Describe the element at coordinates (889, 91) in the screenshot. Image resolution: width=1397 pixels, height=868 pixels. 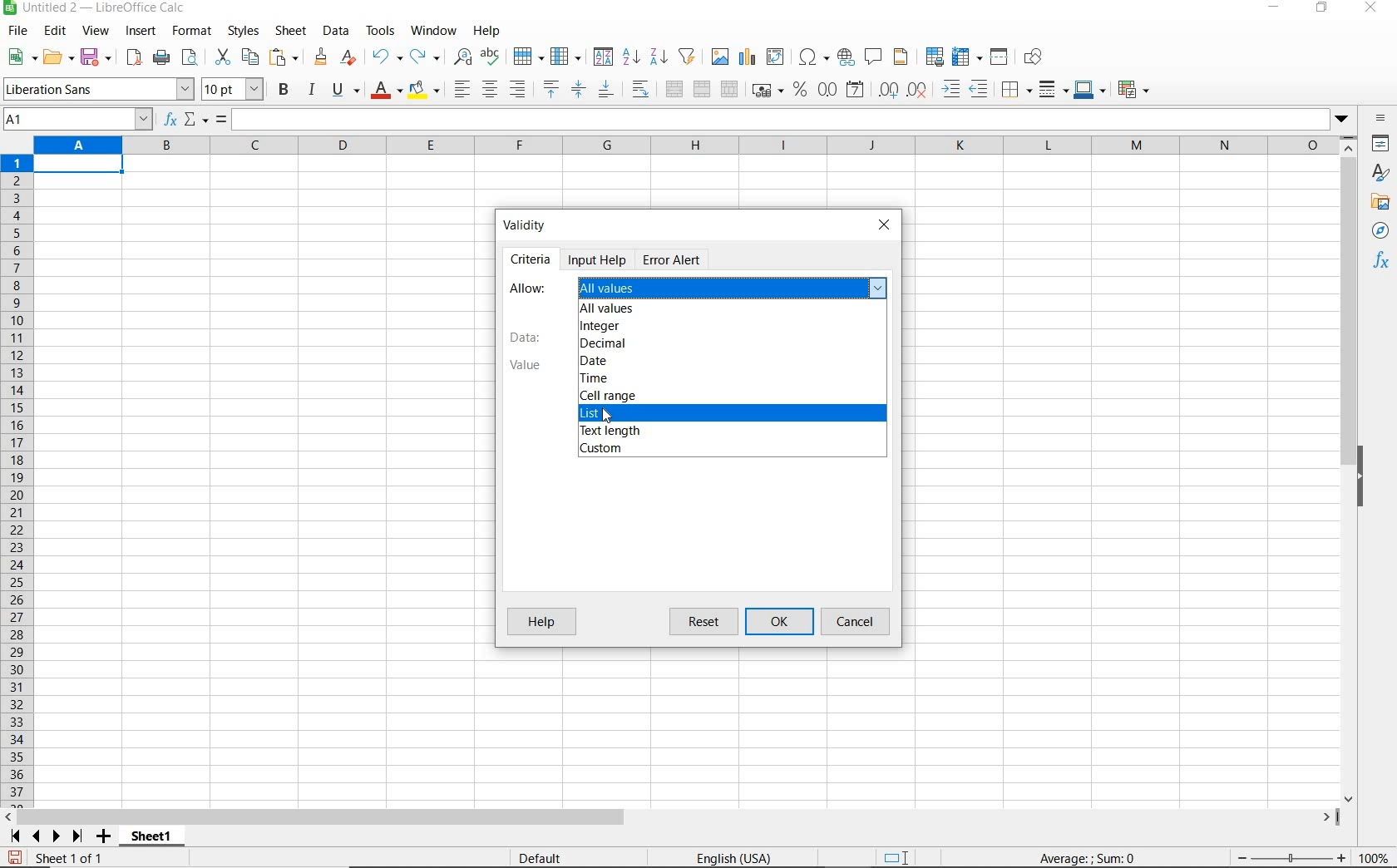
I see `add decimal place` at that location.